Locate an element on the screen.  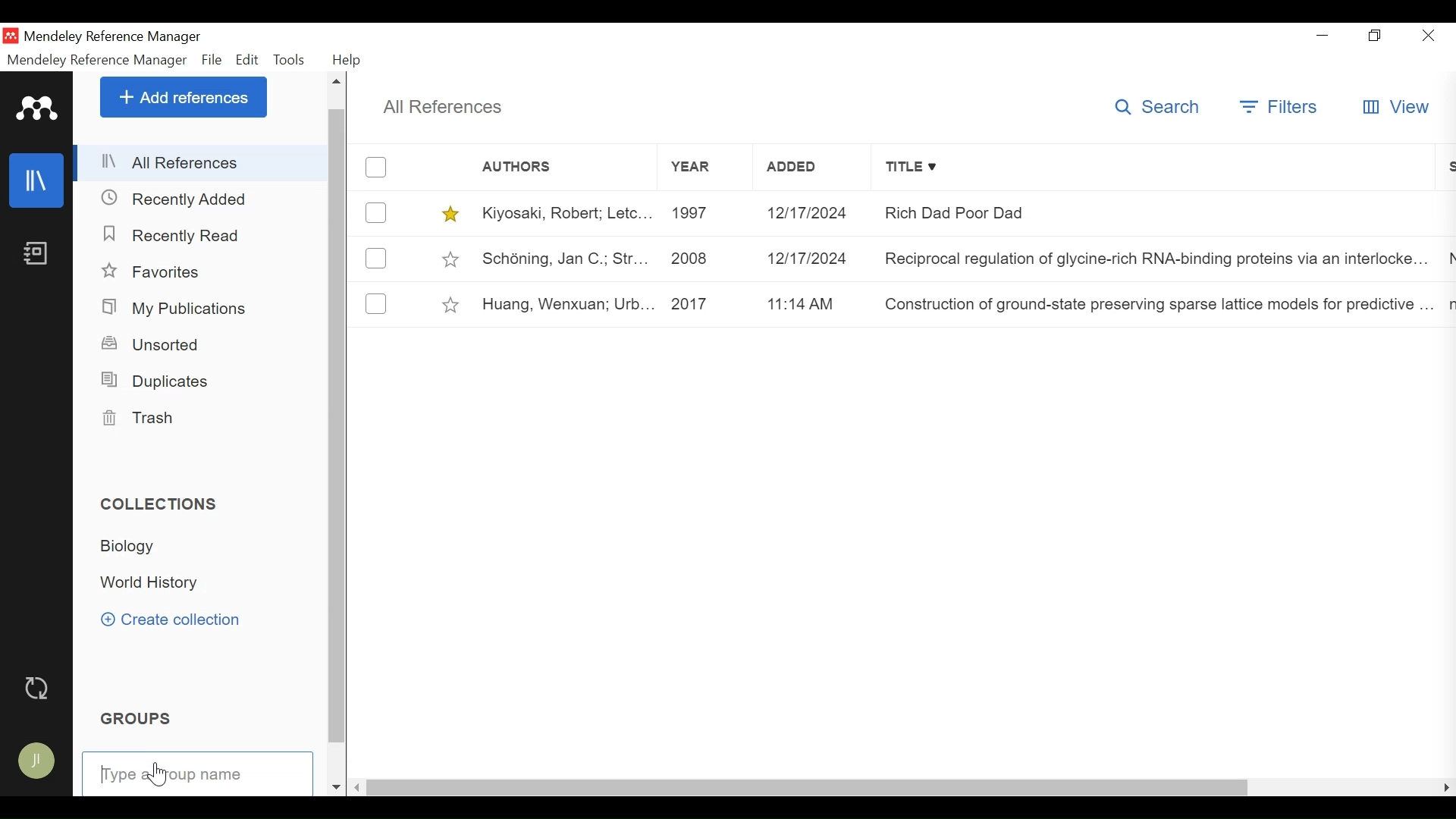
(un)select is located at coordinates (376, 212).